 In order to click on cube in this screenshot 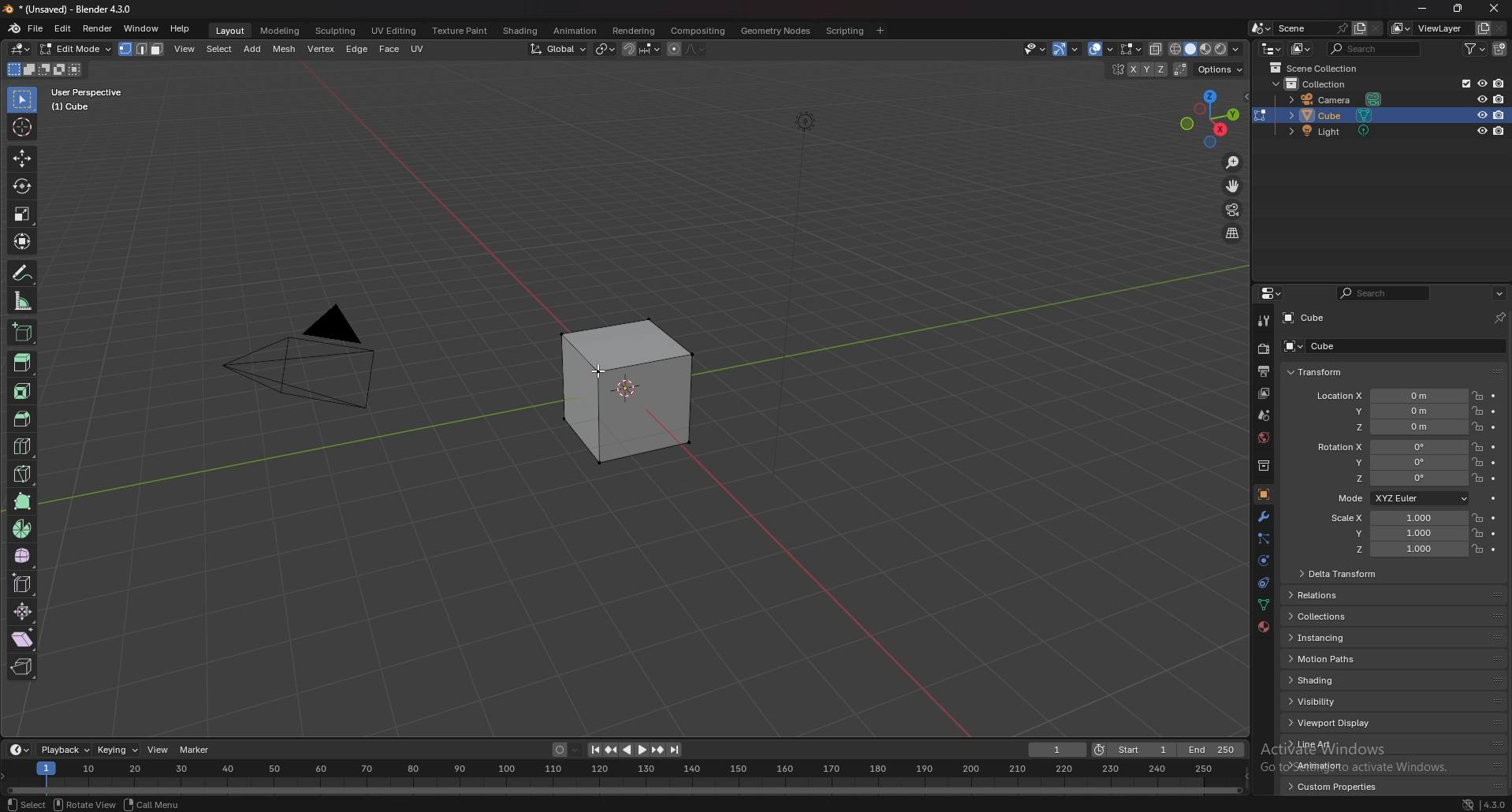, I will do `click(1388, 346)`.